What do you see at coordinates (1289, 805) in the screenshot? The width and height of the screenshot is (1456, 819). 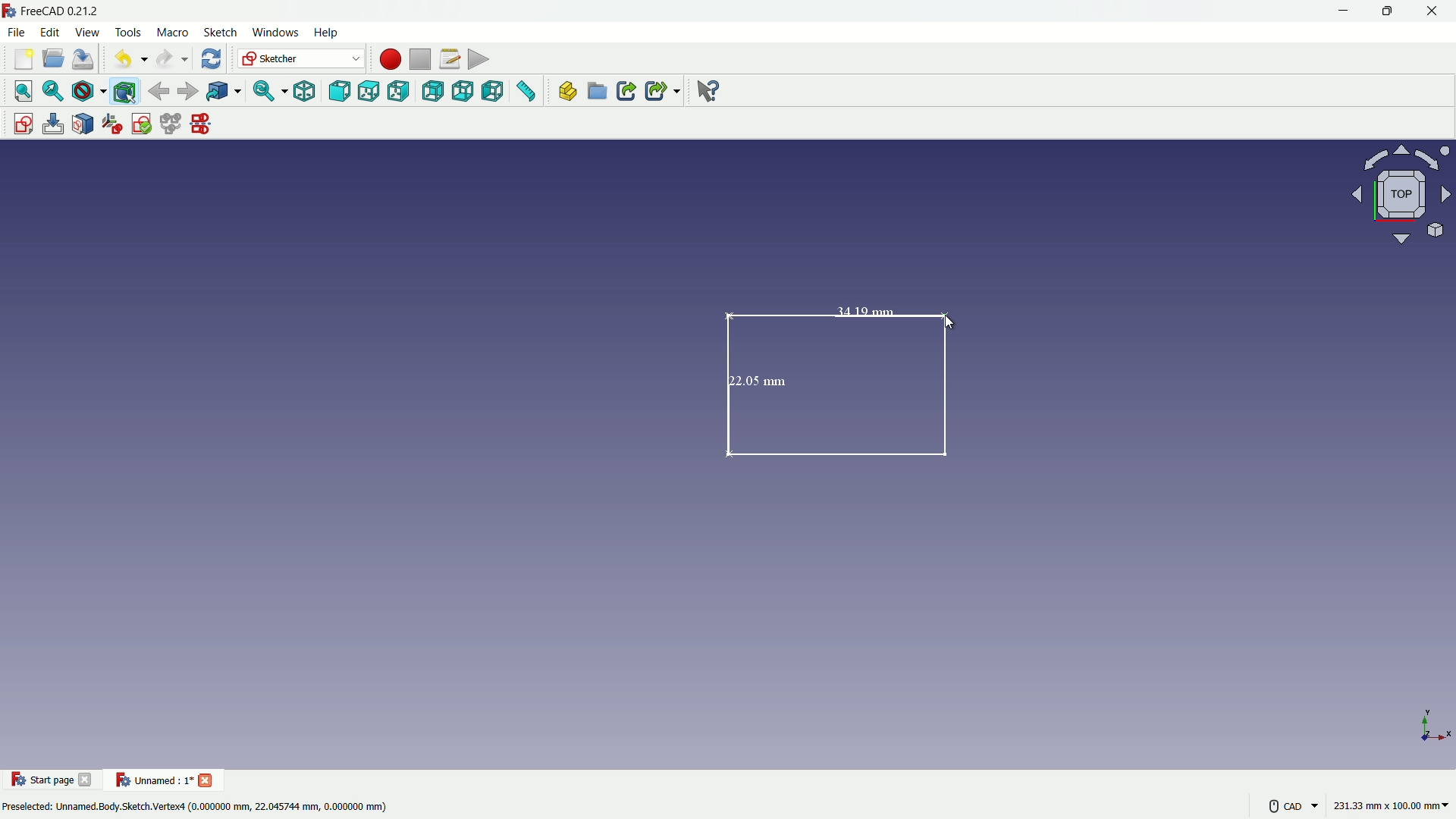 I see `more settings` at bounding box center [1289, 805].